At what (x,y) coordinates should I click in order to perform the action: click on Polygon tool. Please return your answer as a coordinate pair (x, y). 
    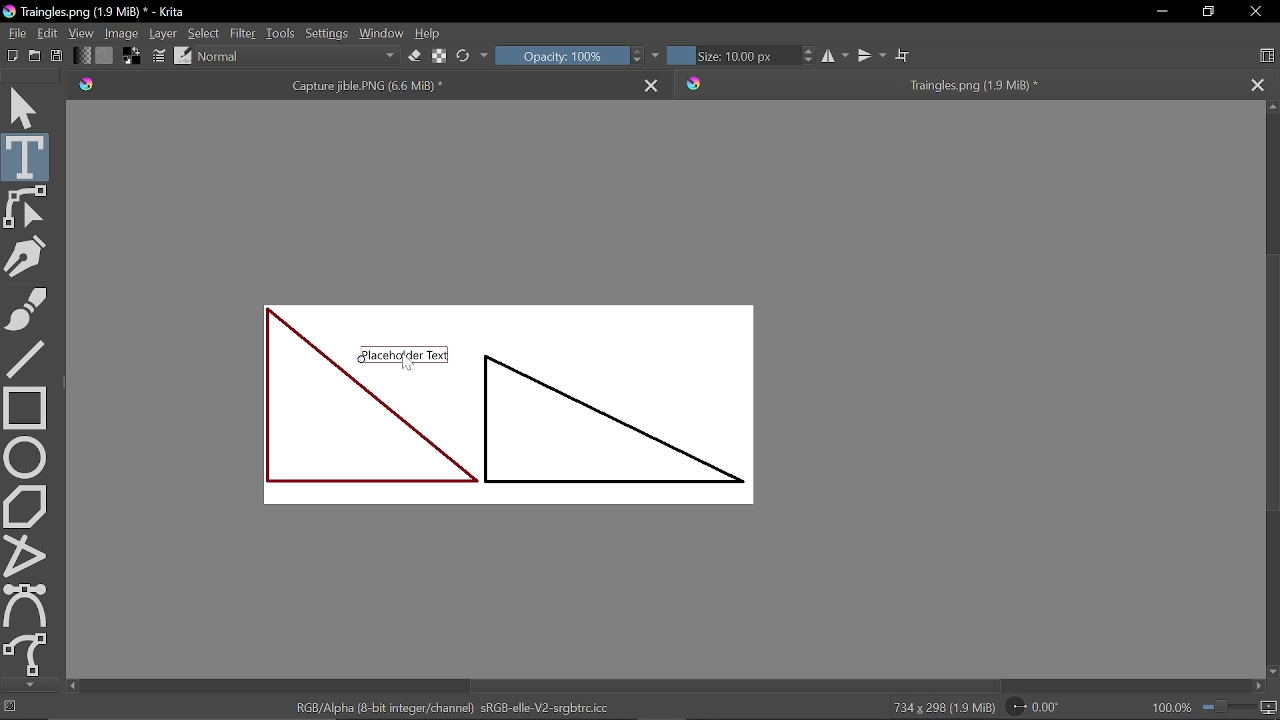
    Looking at the image, I should click on (28, 506).